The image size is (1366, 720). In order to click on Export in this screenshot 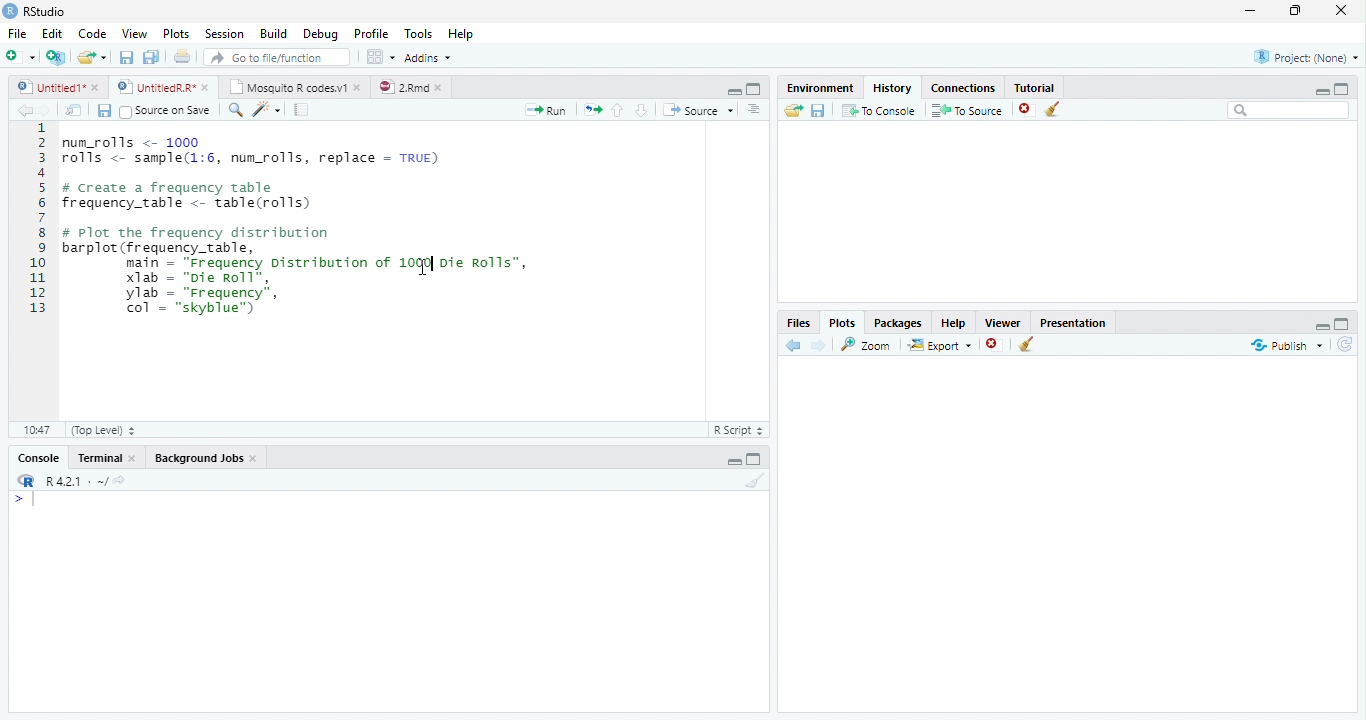, I will do `click(939, 346)`.